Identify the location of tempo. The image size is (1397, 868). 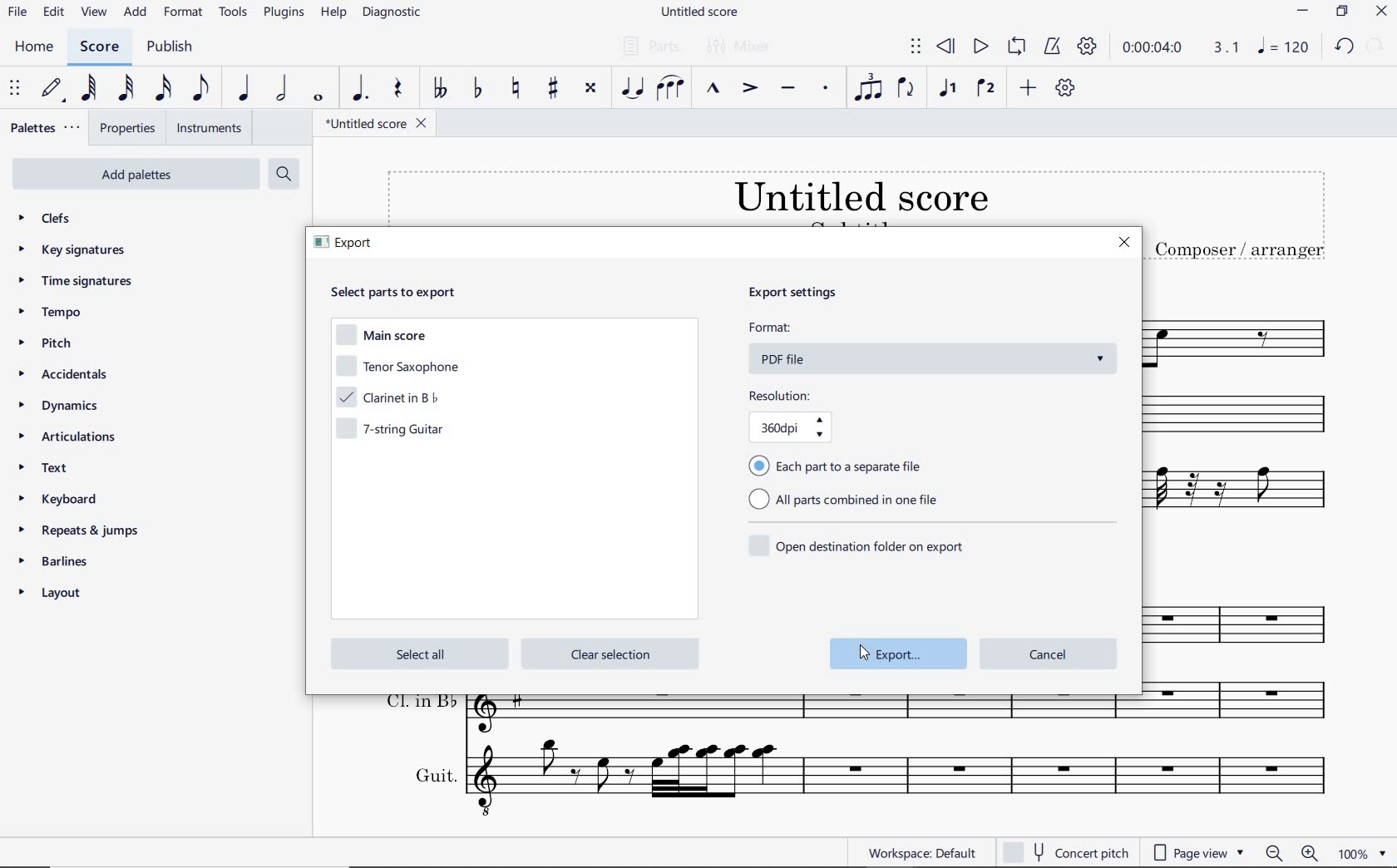
(52, 313).